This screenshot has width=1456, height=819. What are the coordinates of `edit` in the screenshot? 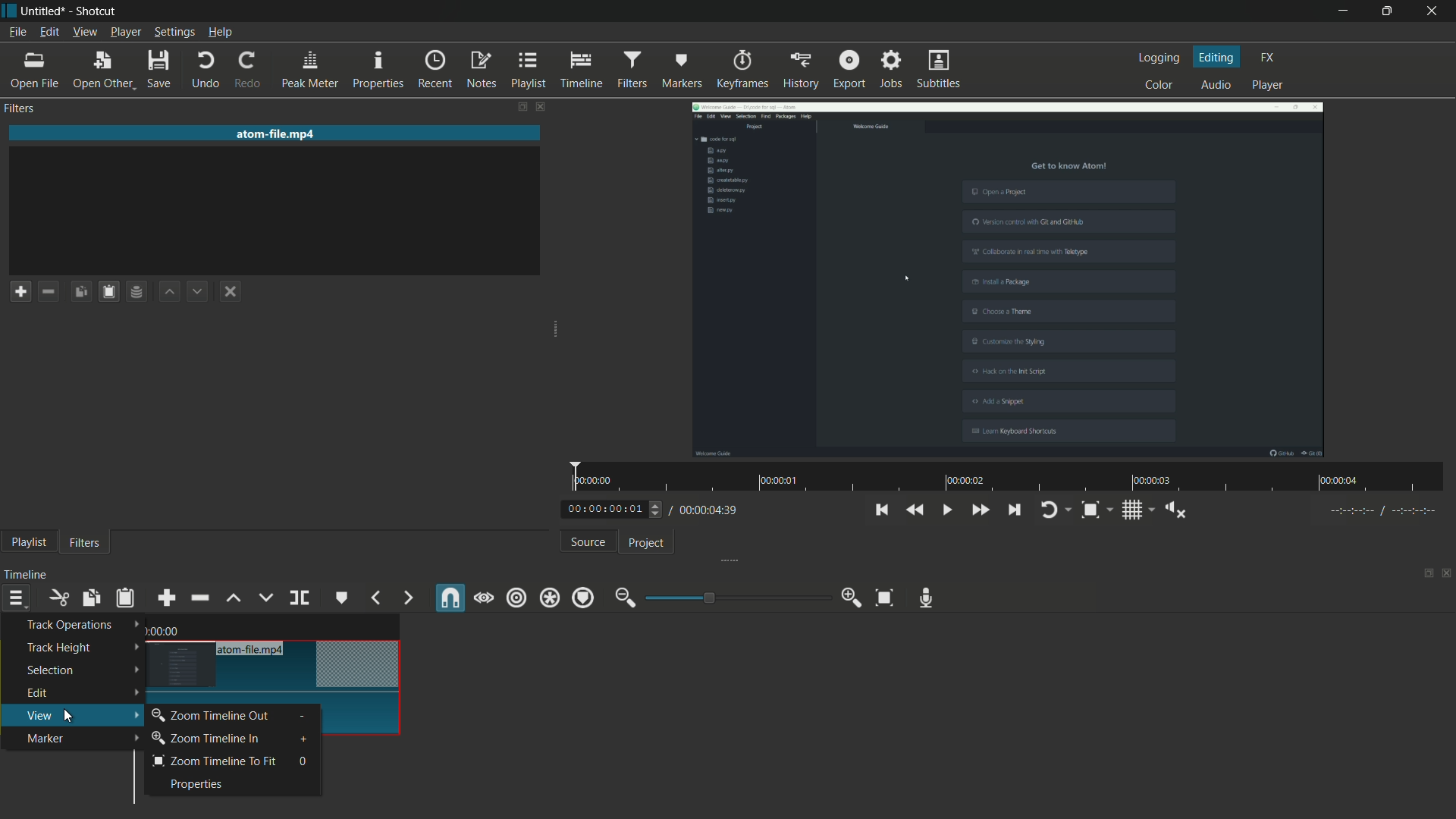 It's located at (80, 693).